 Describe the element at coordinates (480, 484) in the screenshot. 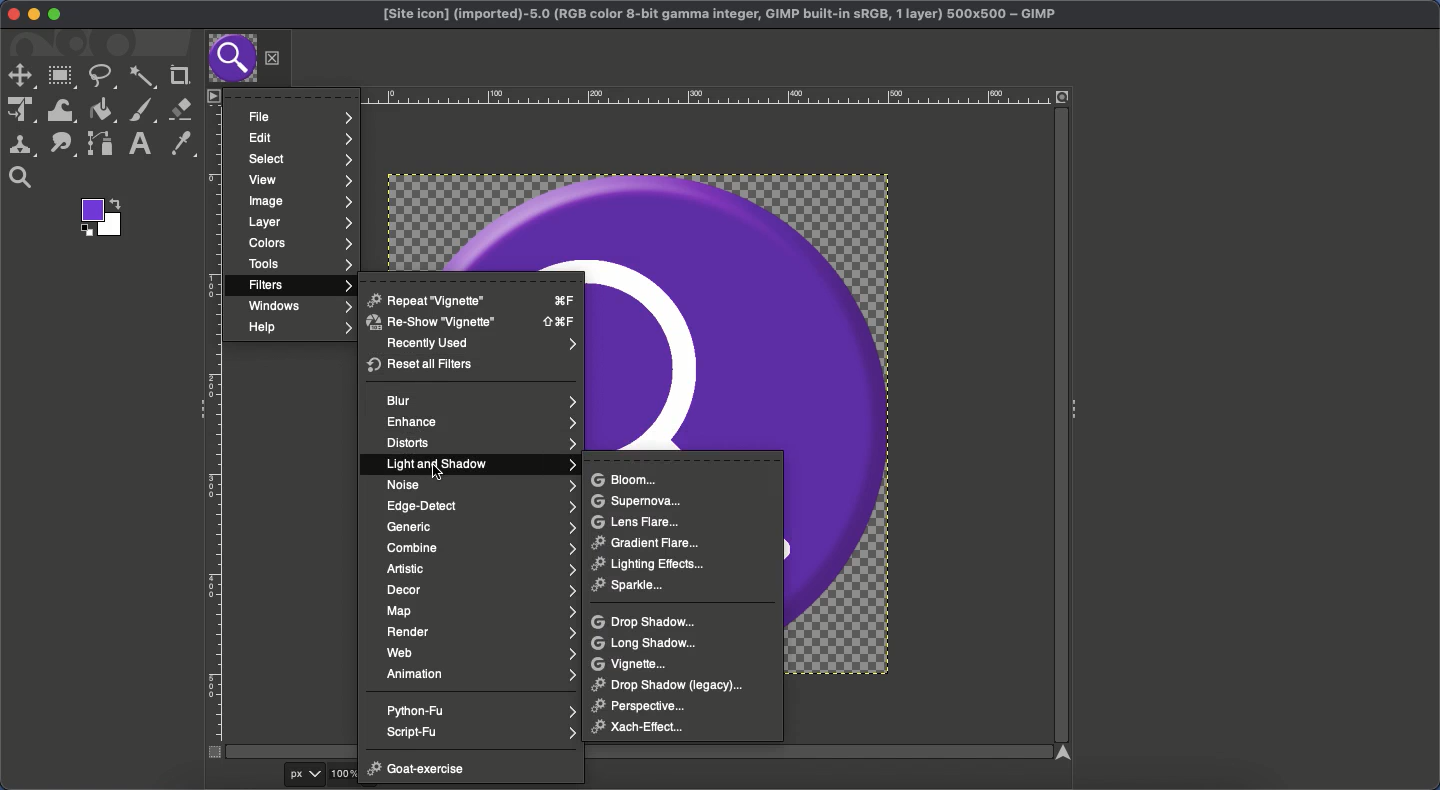

I see `Noise` at that location.